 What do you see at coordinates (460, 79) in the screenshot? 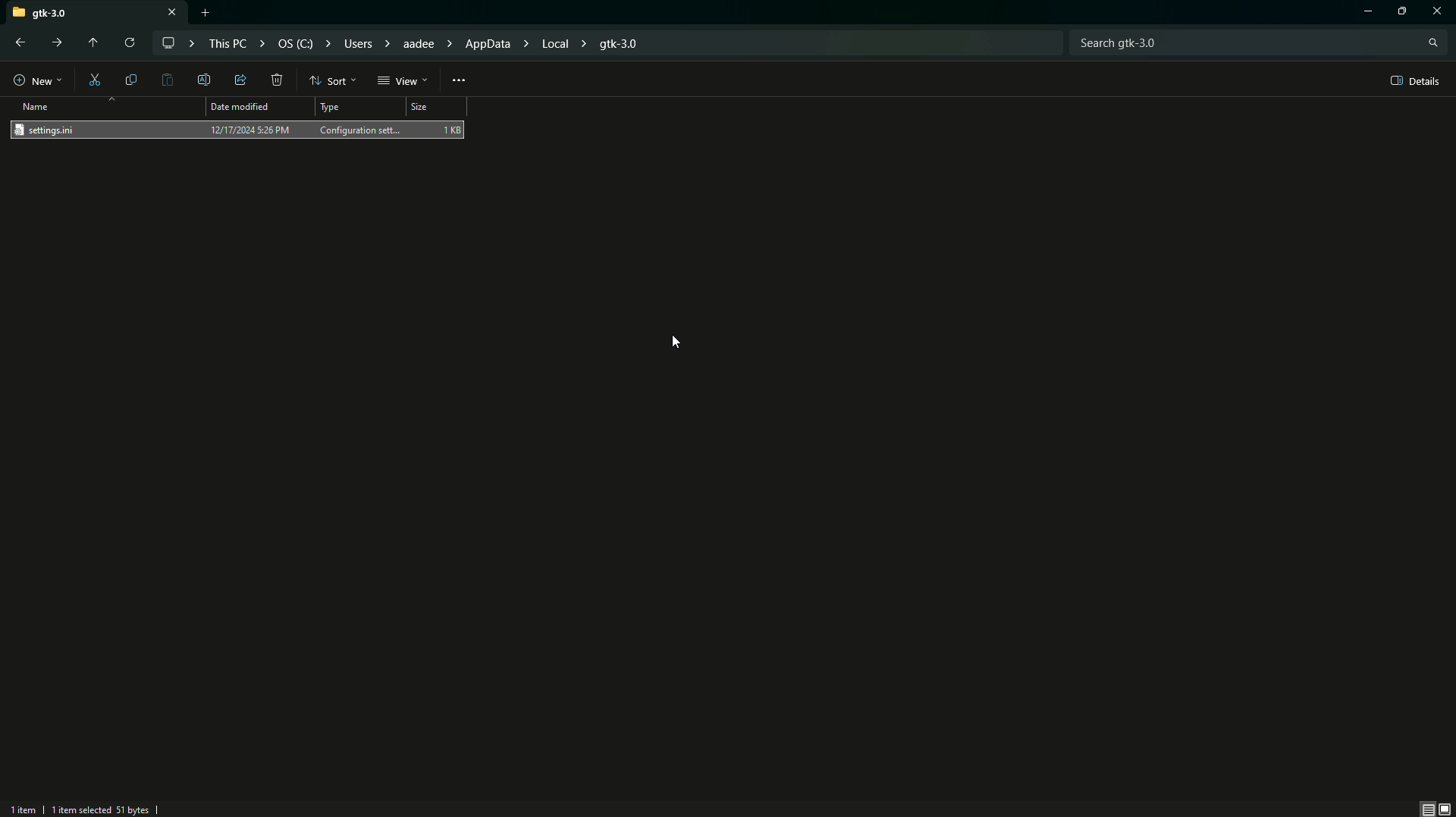
I see `More Options` at bounding box center [460, 79].